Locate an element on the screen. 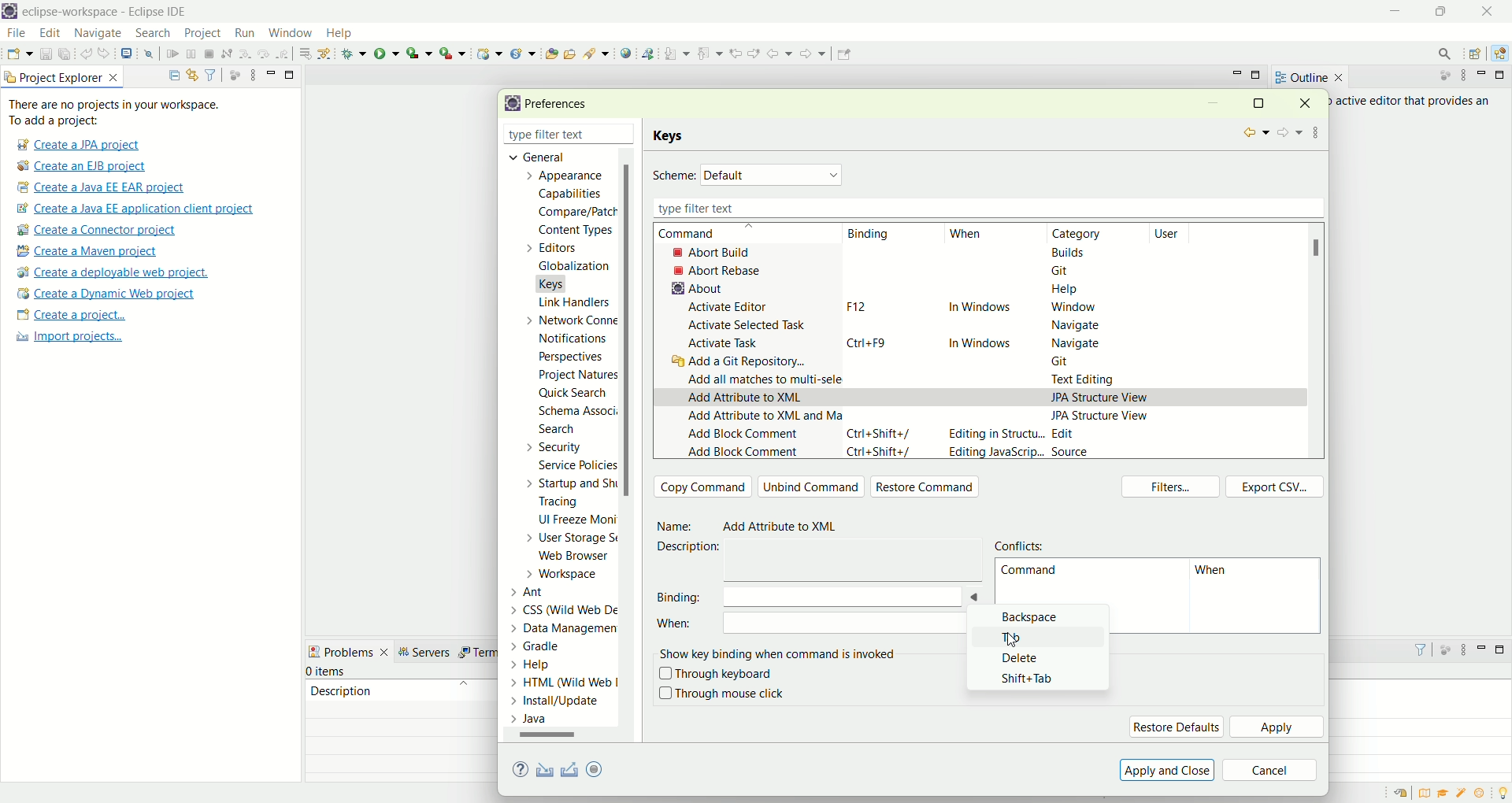 This screenshot has width=1512, height=803. maximize is located at coordinates (1258, 102).